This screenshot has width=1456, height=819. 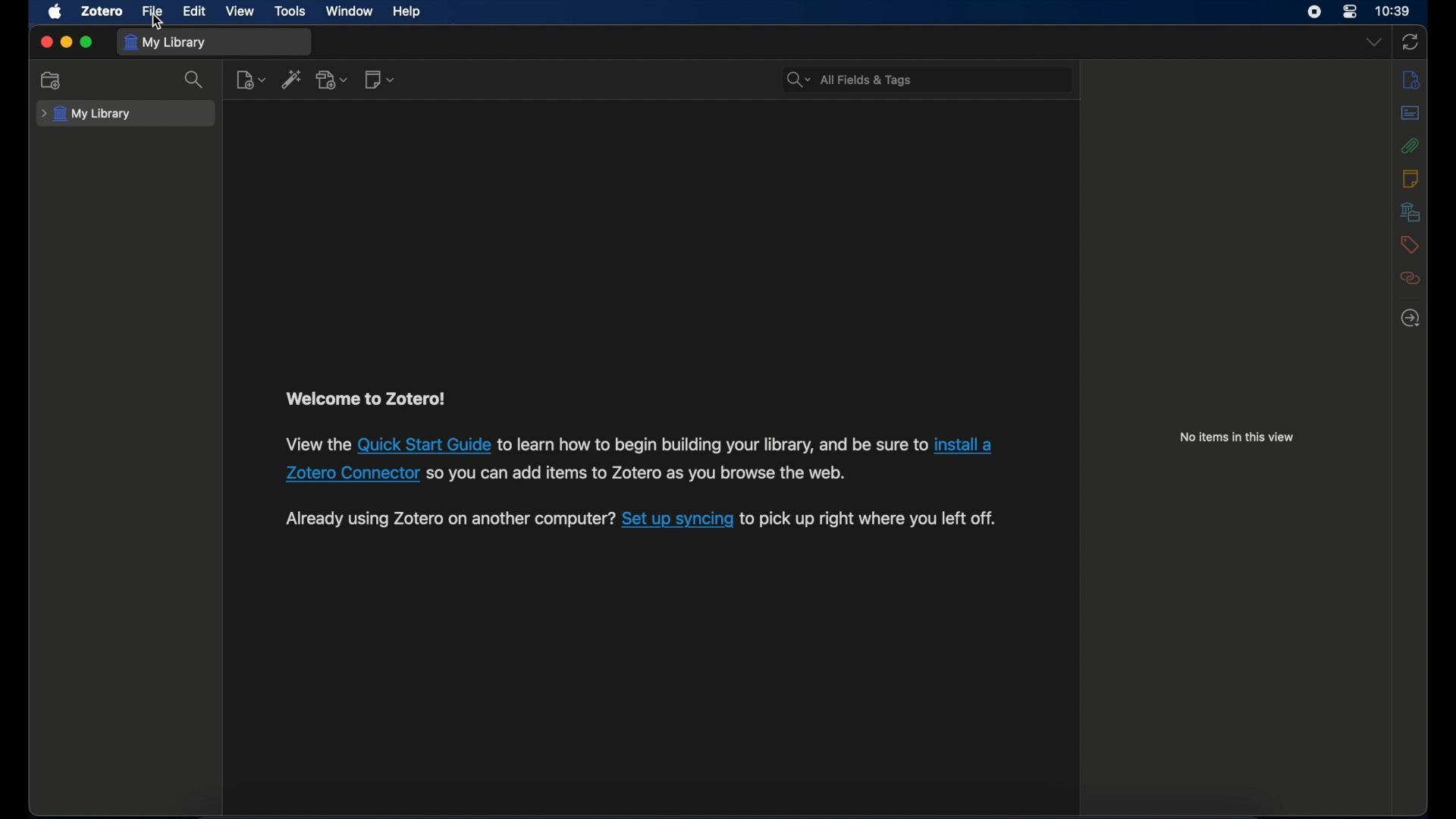 I want to click on minimize, so click(x=67, y=43).